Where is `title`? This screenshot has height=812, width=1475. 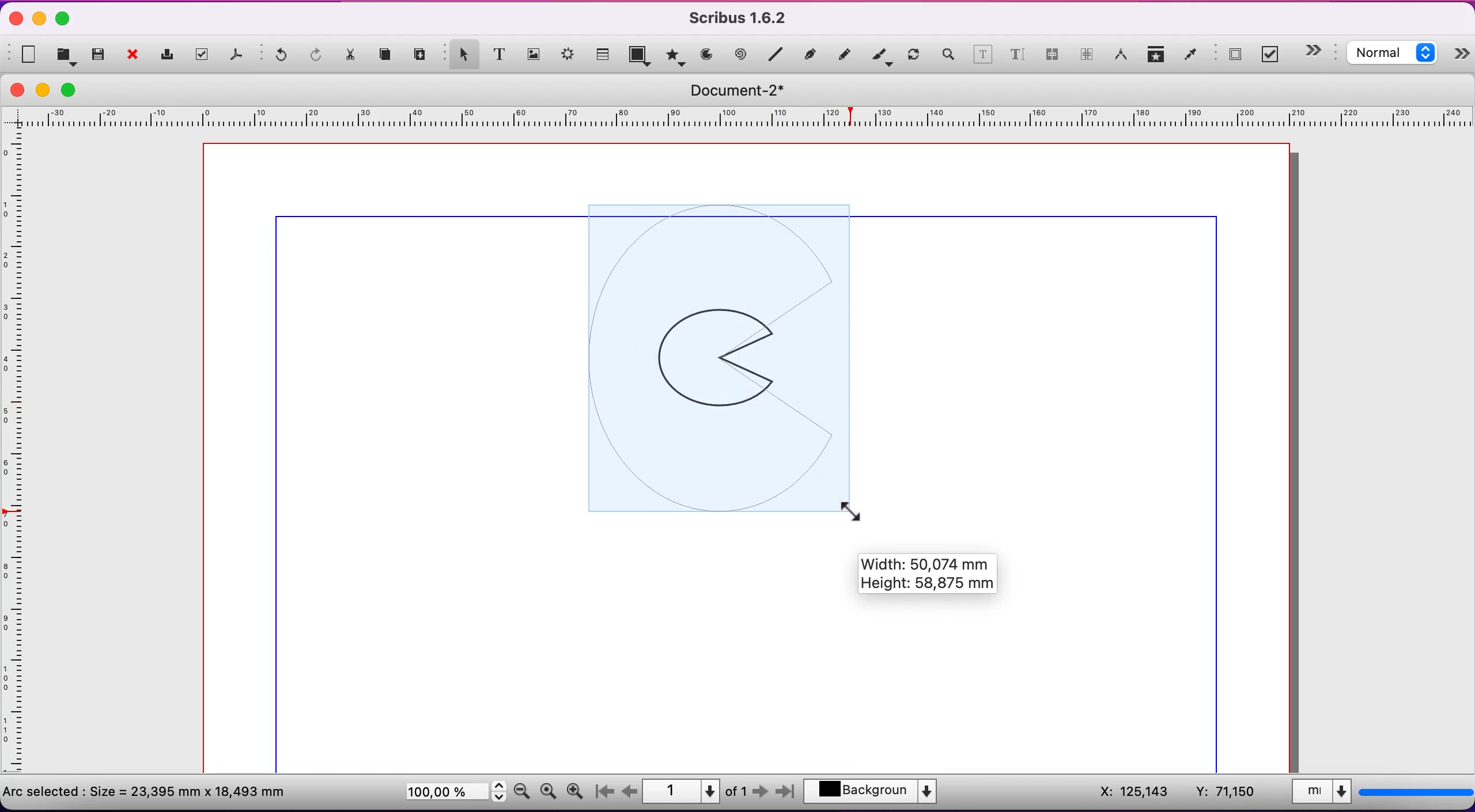 title is located at coordinates (745, 90).